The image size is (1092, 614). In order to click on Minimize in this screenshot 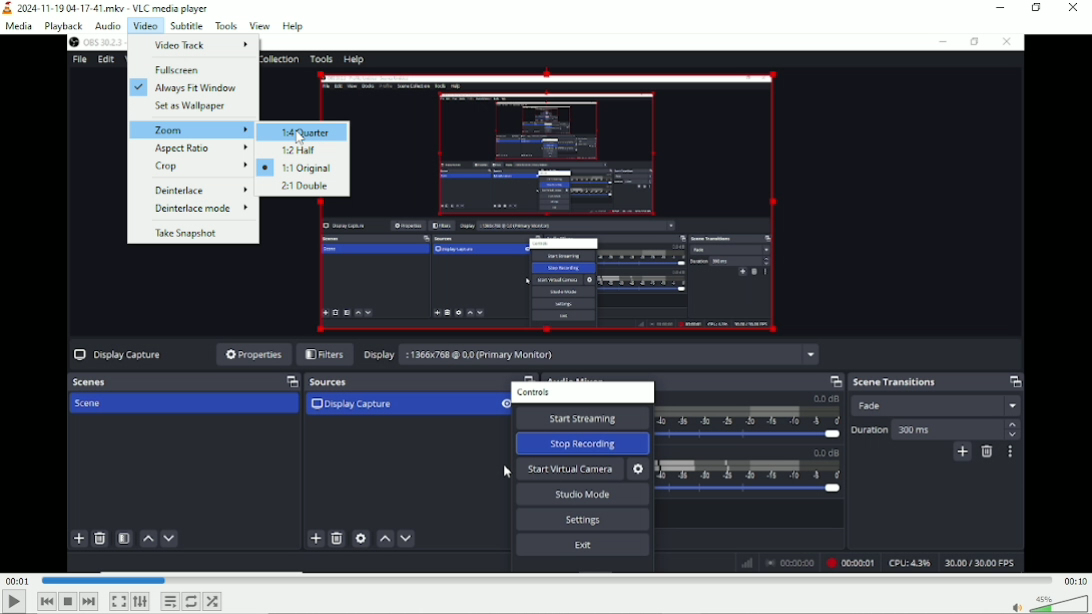, I will do `click(1001, 7)`.